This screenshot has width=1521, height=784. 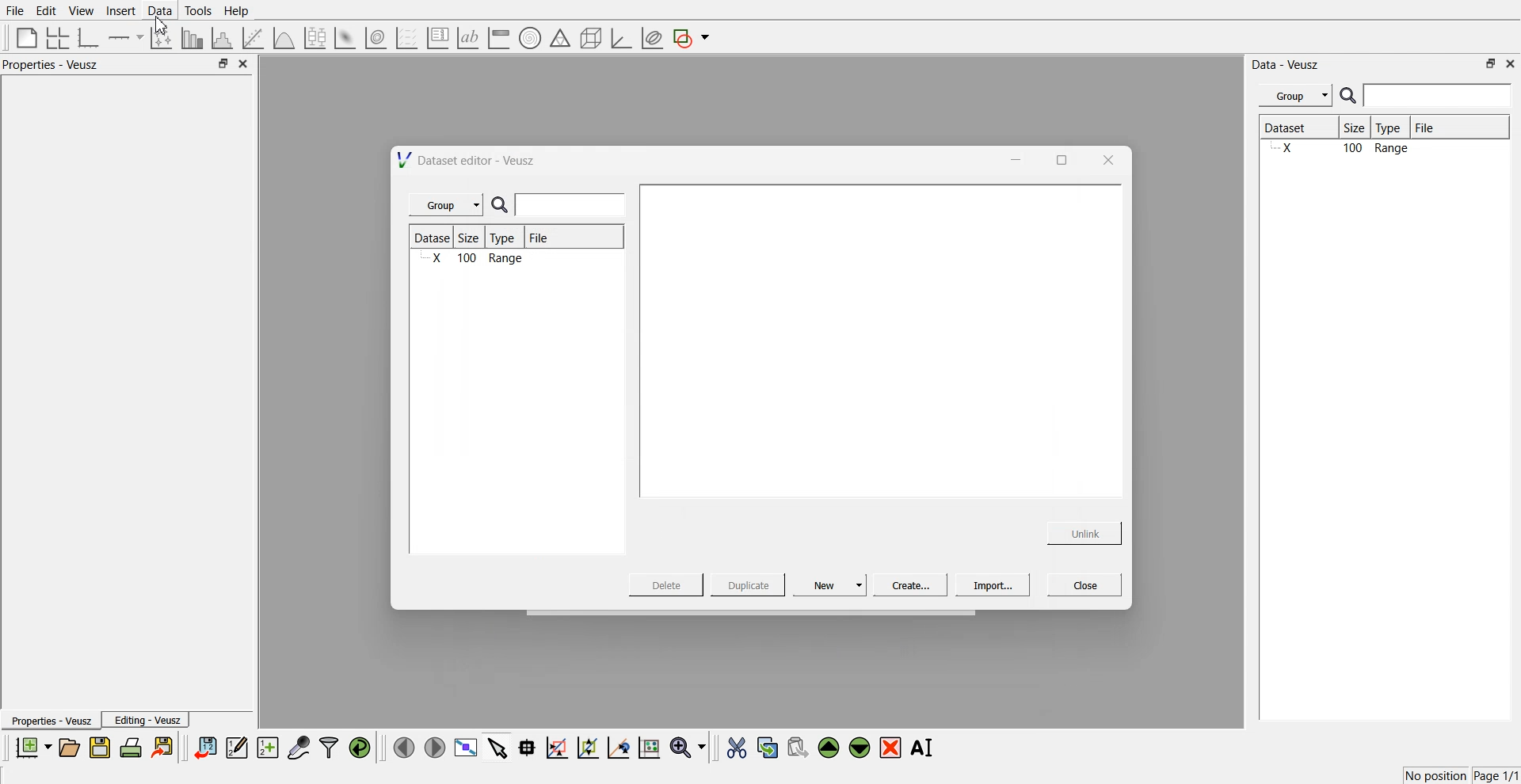 I want to click on Type, so click(x=1393, y=128).